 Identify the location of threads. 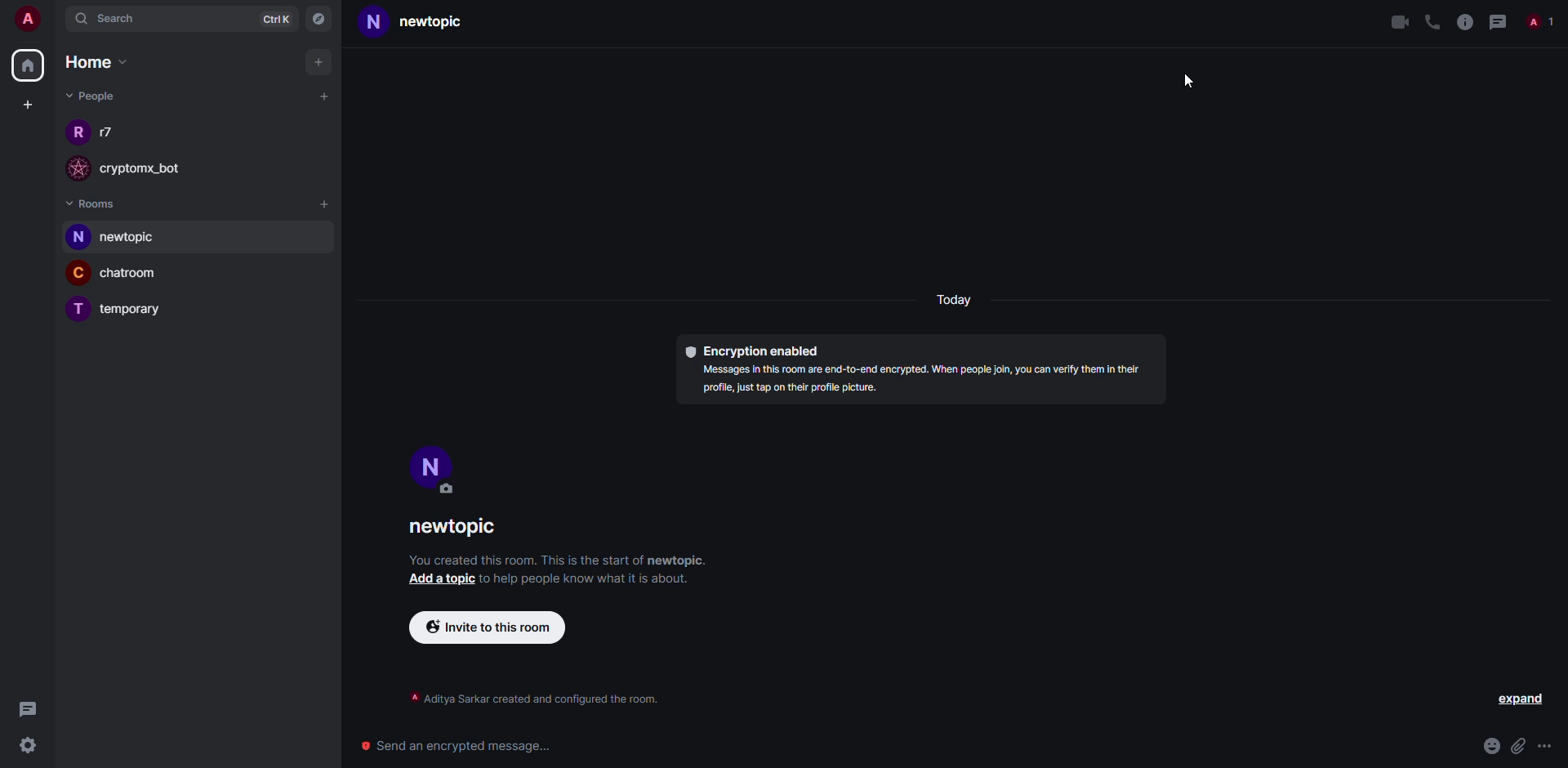
(28, 708).